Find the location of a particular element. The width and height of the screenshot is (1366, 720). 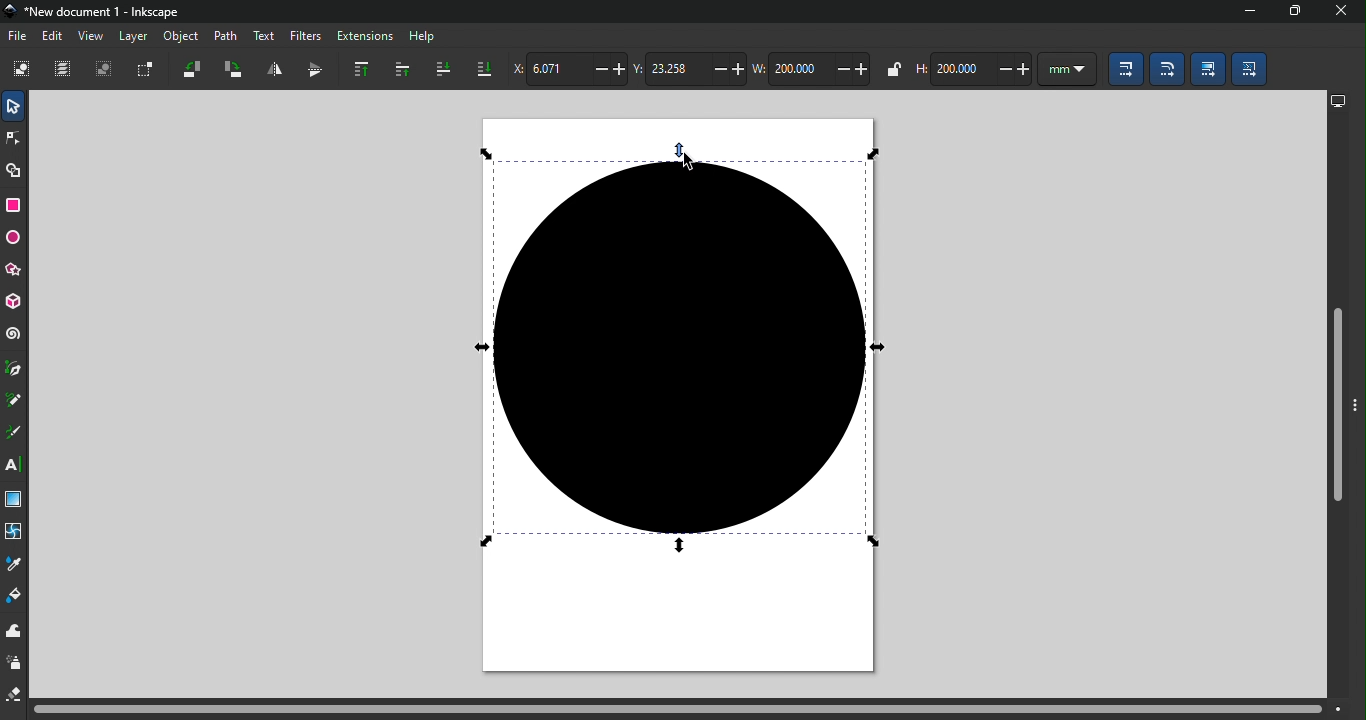

star/polygon tool is located at coordinates (14, 269).